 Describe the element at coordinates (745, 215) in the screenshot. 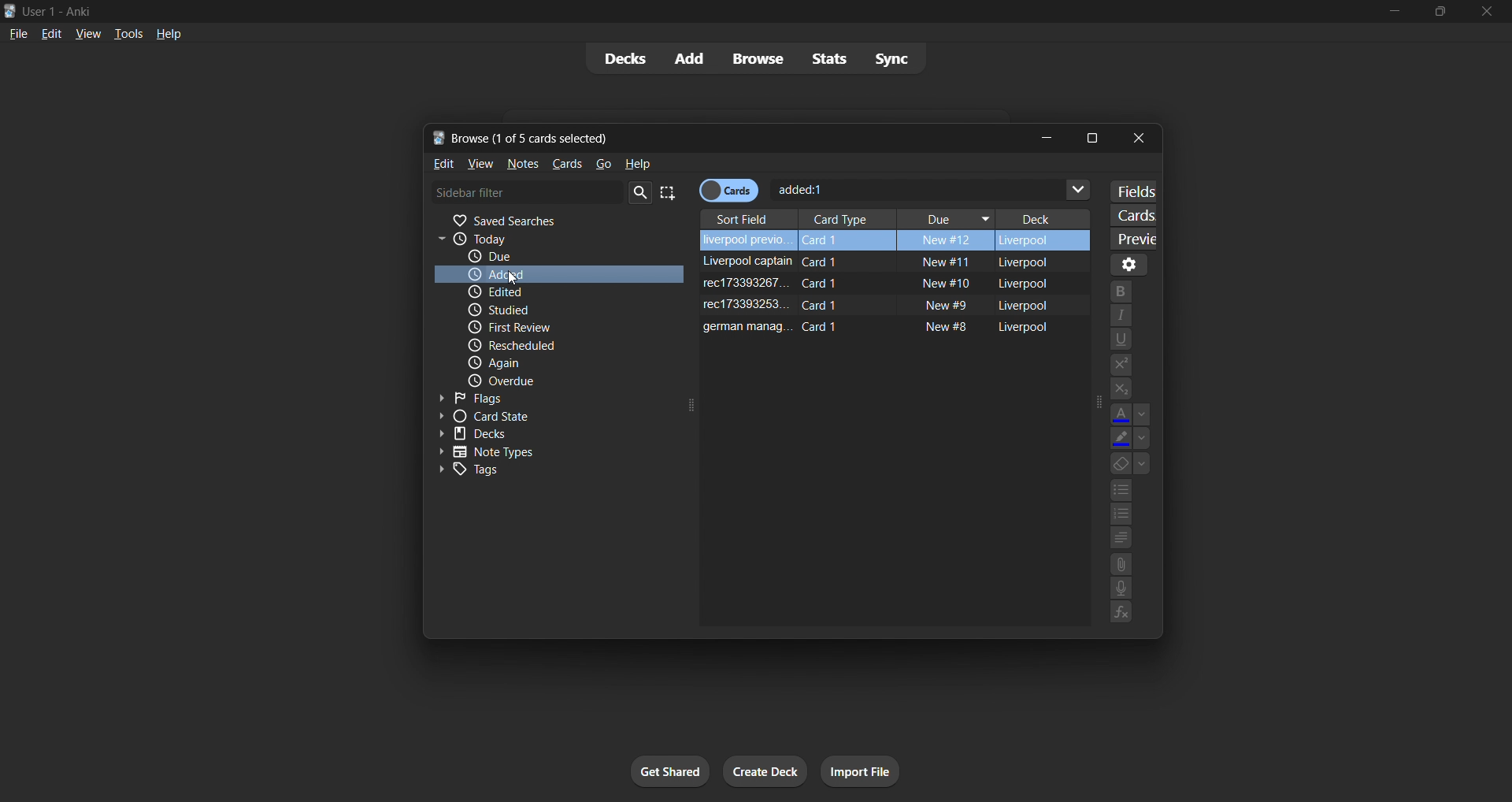

I see `sort field column` at that location.